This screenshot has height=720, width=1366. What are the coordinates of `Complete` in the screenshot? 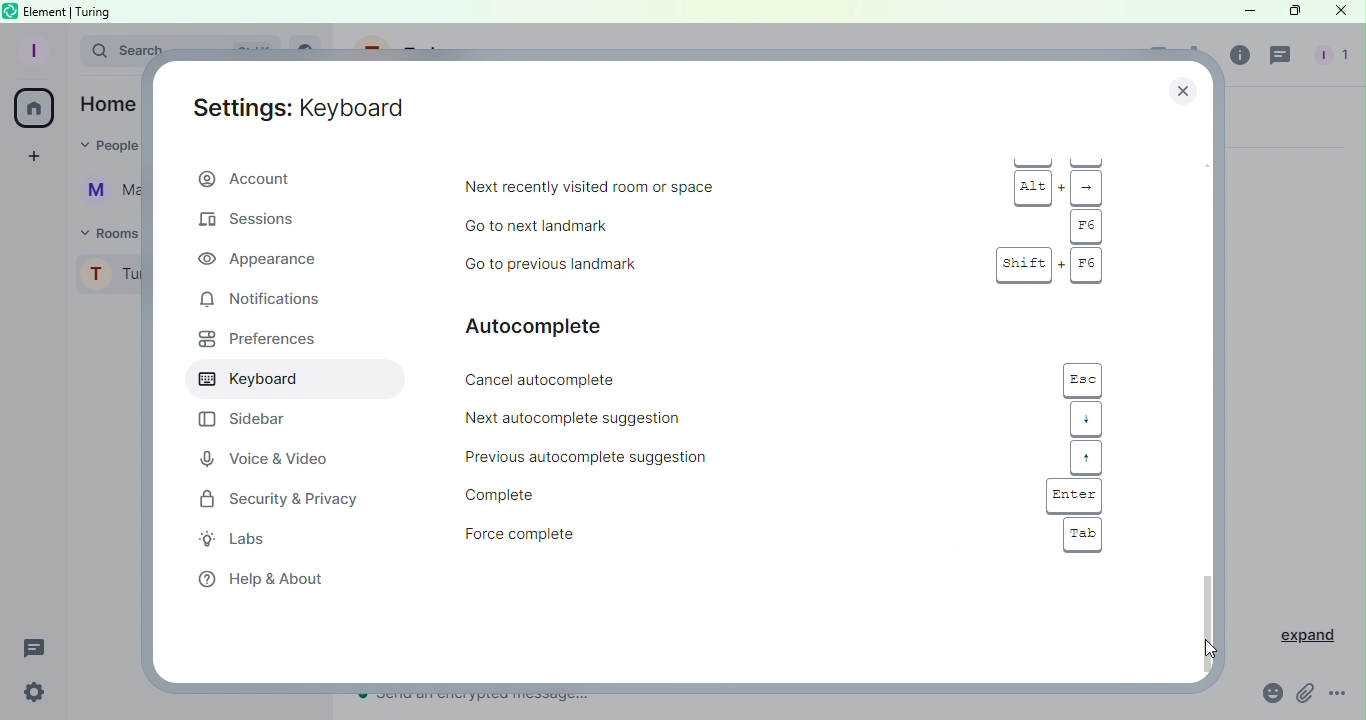 It's located at (609, 495).